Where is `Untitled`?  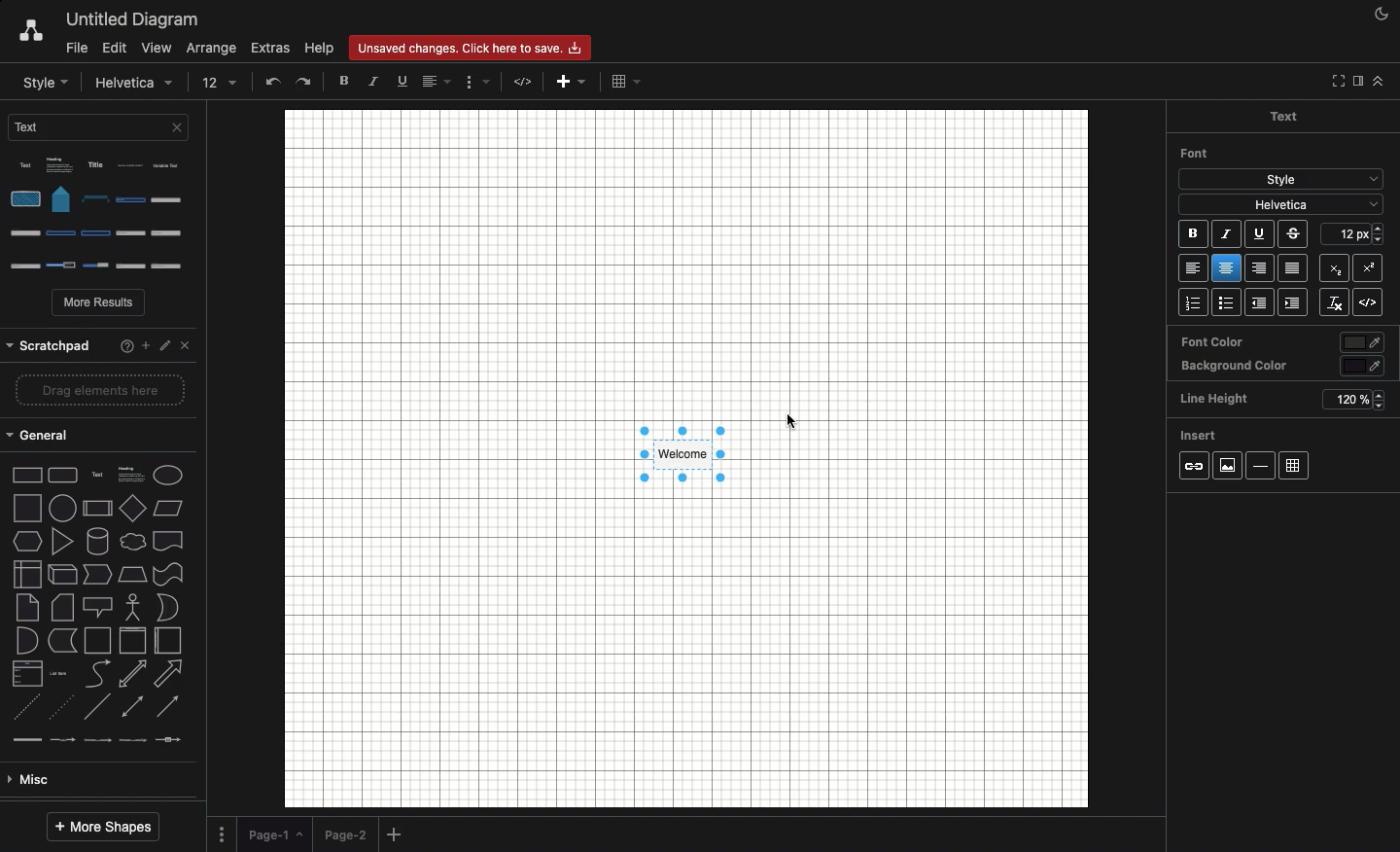
Untitled is located at coordinates (133, 20).